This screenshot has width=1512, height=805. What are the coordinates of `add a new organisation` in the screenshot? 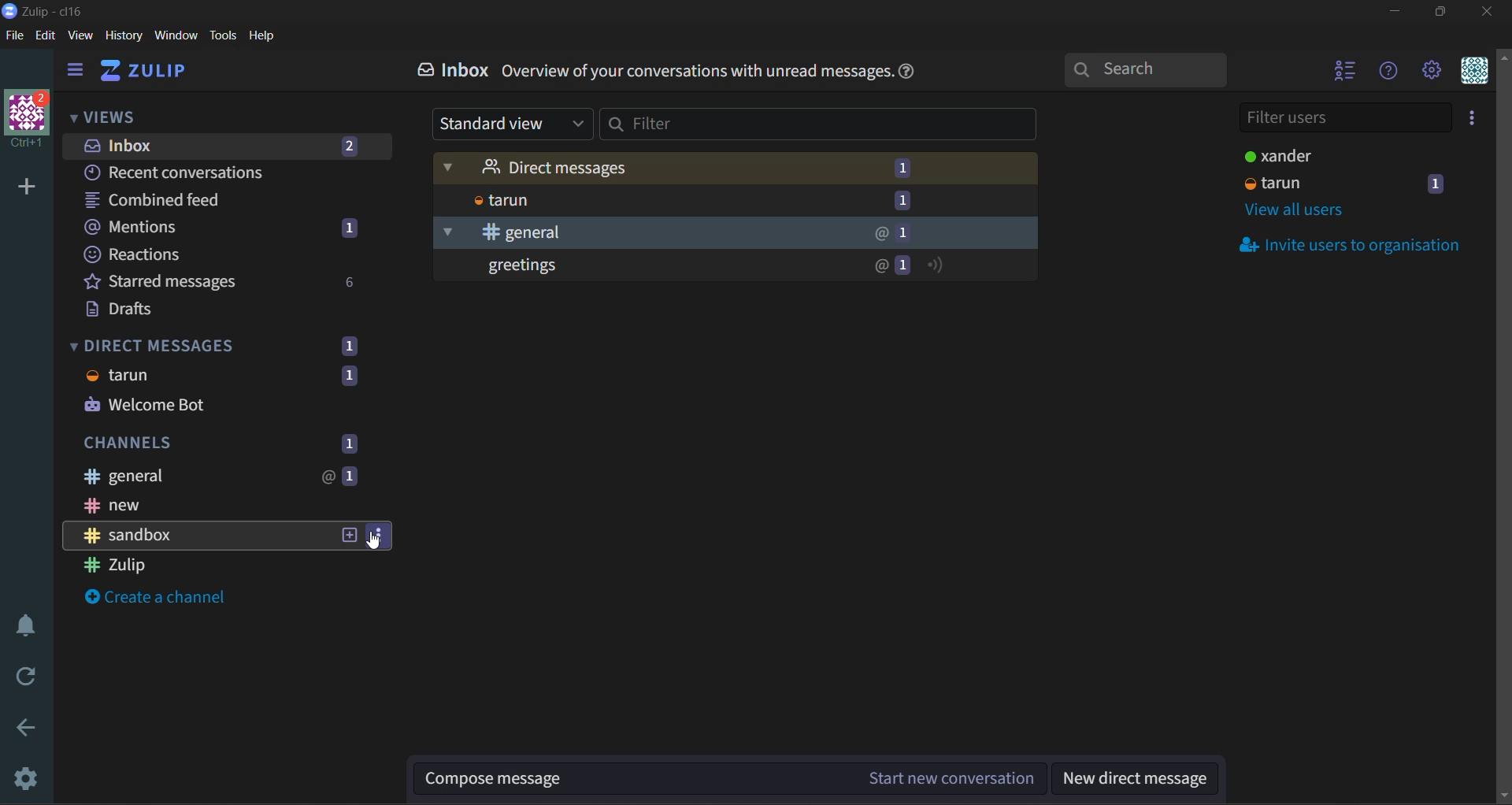 It's located at (27, 190).